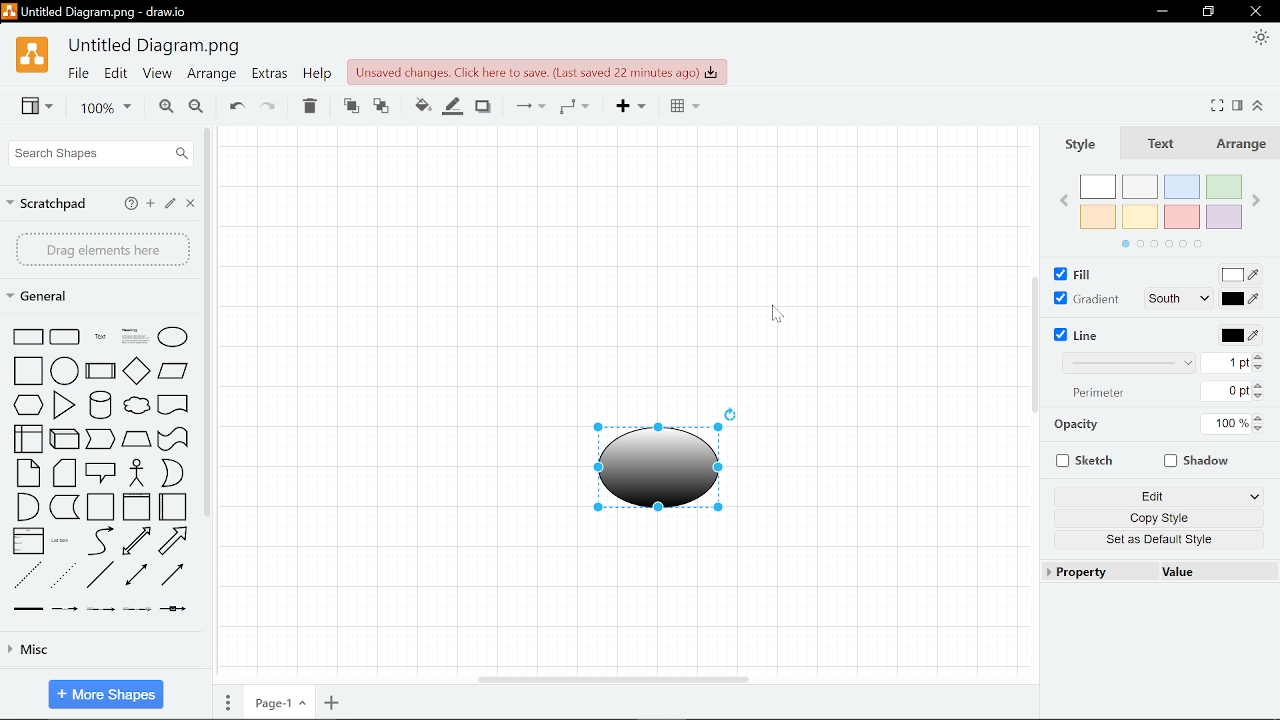 This screenshot has height=720, width=1280. I want to click on Close, so click(191, 203).